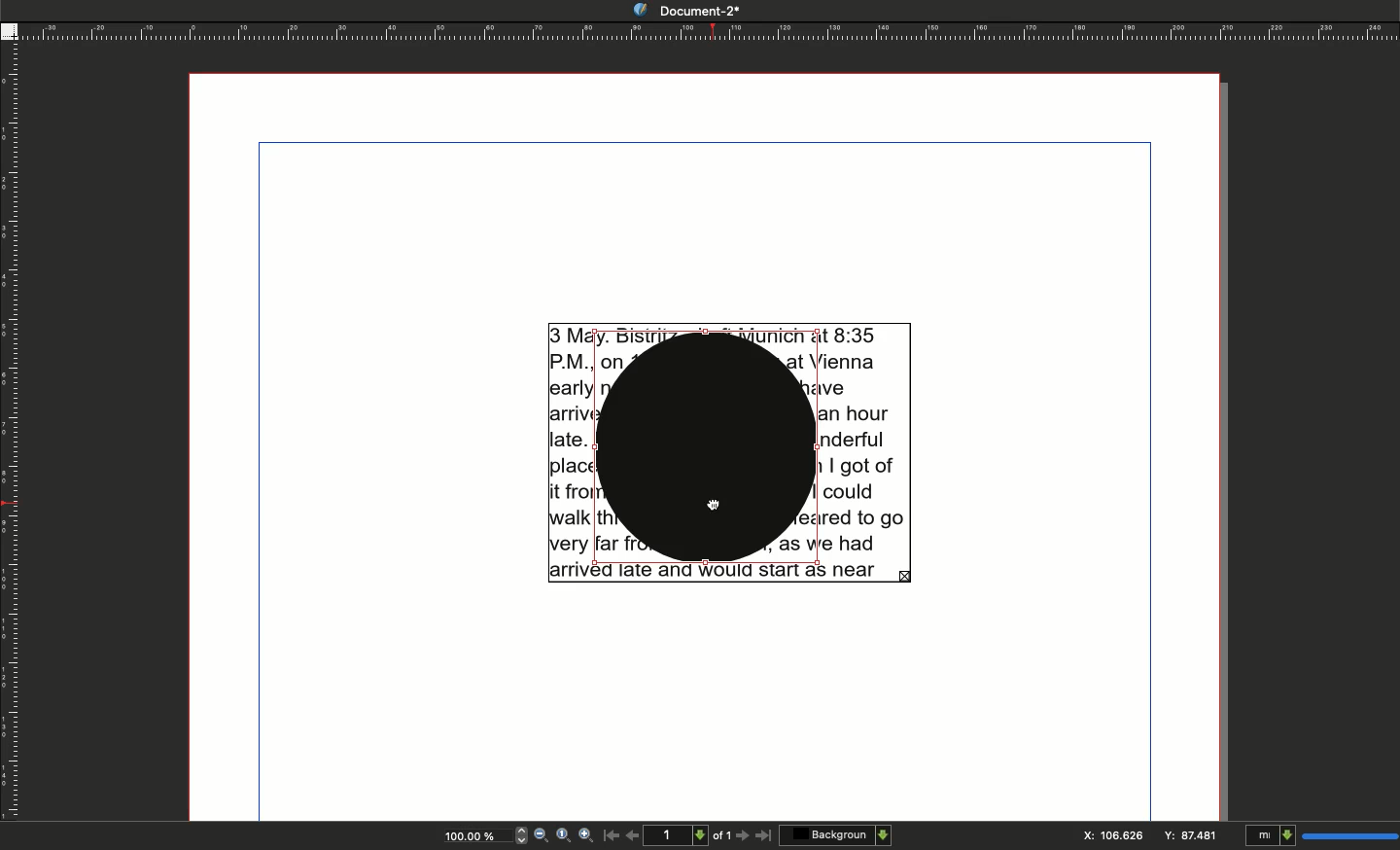  Describe the element at coordinates (708, 30) in the screenshot. I see `Ruler` at that location.